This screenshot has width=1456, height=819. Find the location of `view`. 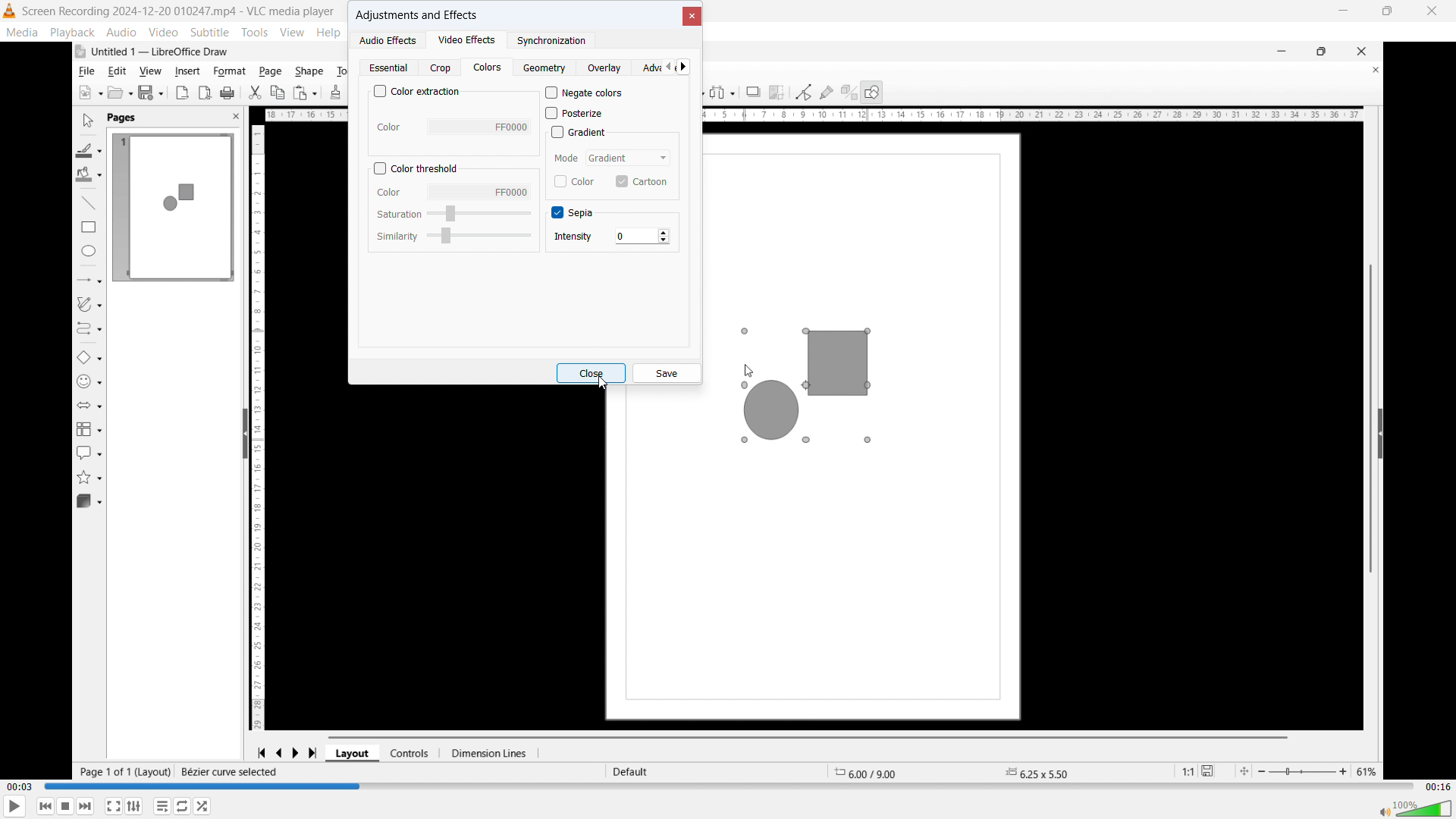

view is located at coordinates (293, 32).